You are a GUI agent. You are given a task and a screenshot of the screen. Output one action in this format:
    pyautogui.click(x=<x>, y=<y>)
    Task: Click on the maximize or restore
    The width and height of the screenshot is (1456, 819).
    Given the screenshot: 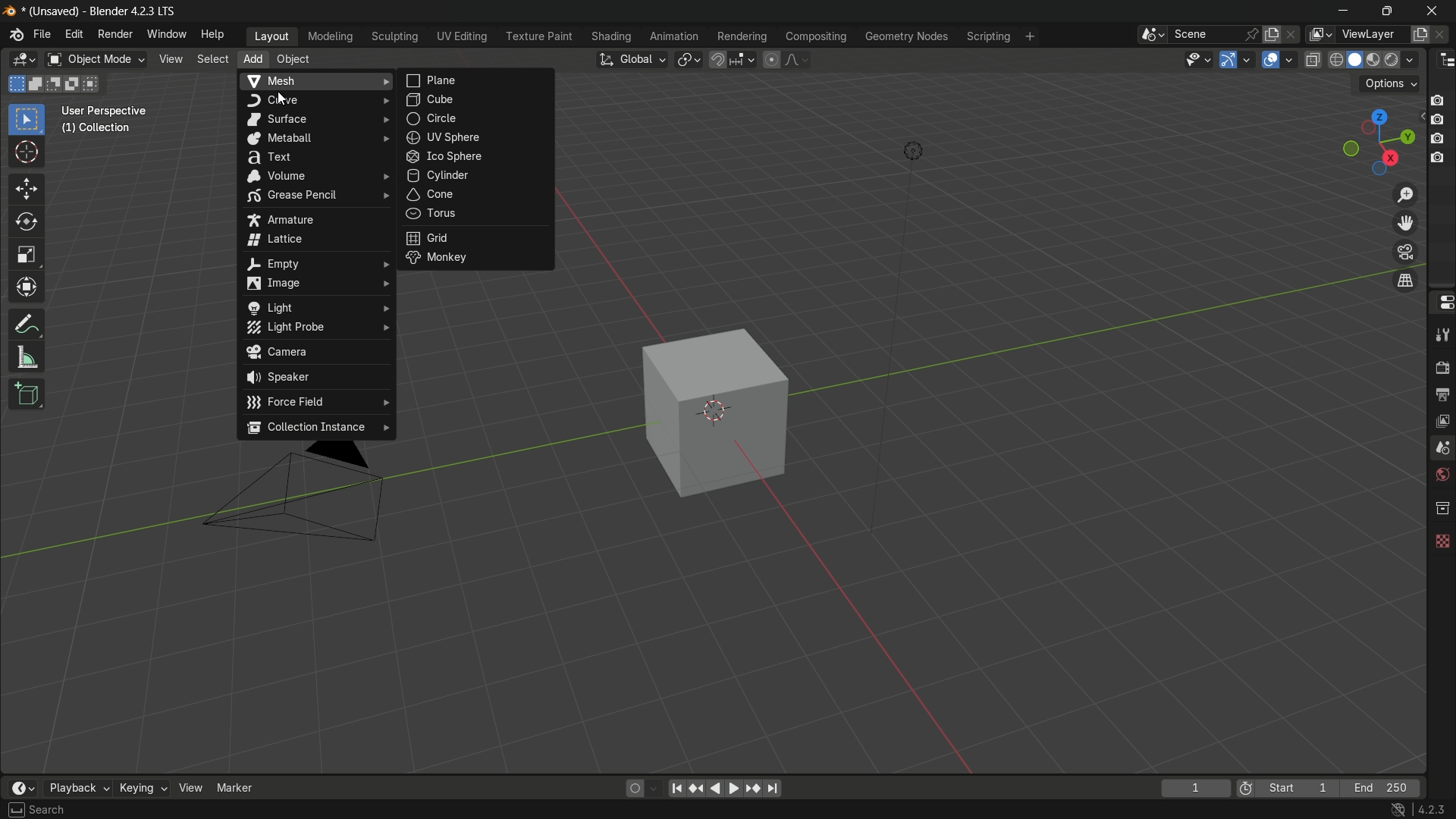 What is the action you would take?
    pyautogui.click(x=1386, y=11)
    